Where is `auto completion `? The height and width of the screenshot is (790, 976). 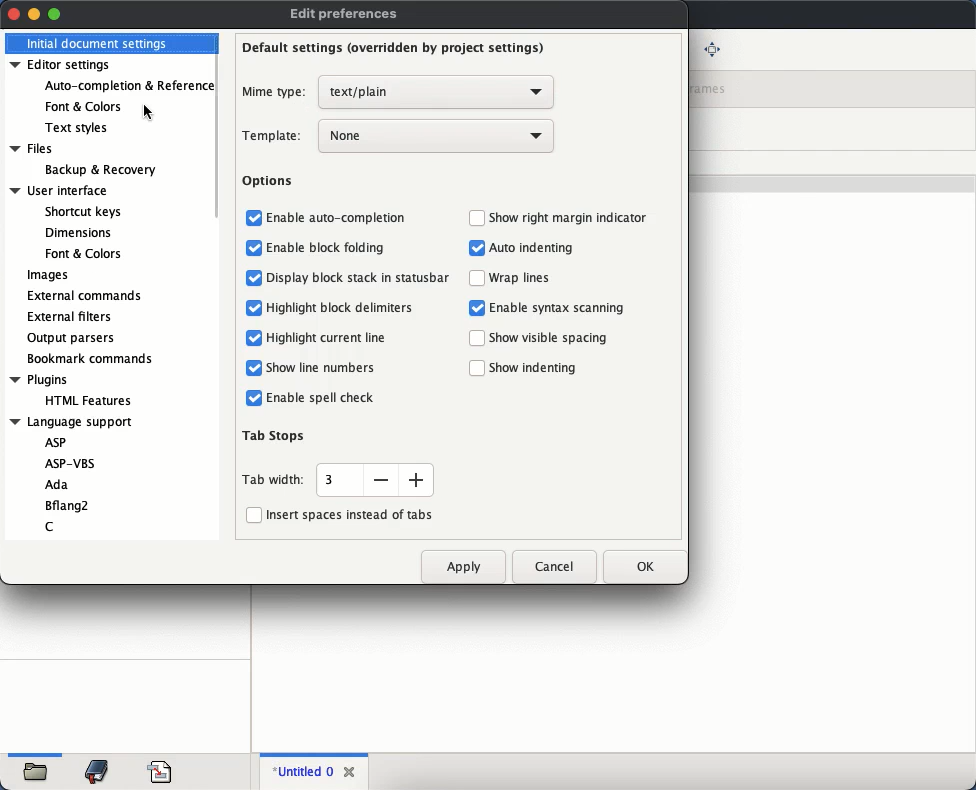 auto completion  is located at coordinates (129, 86).